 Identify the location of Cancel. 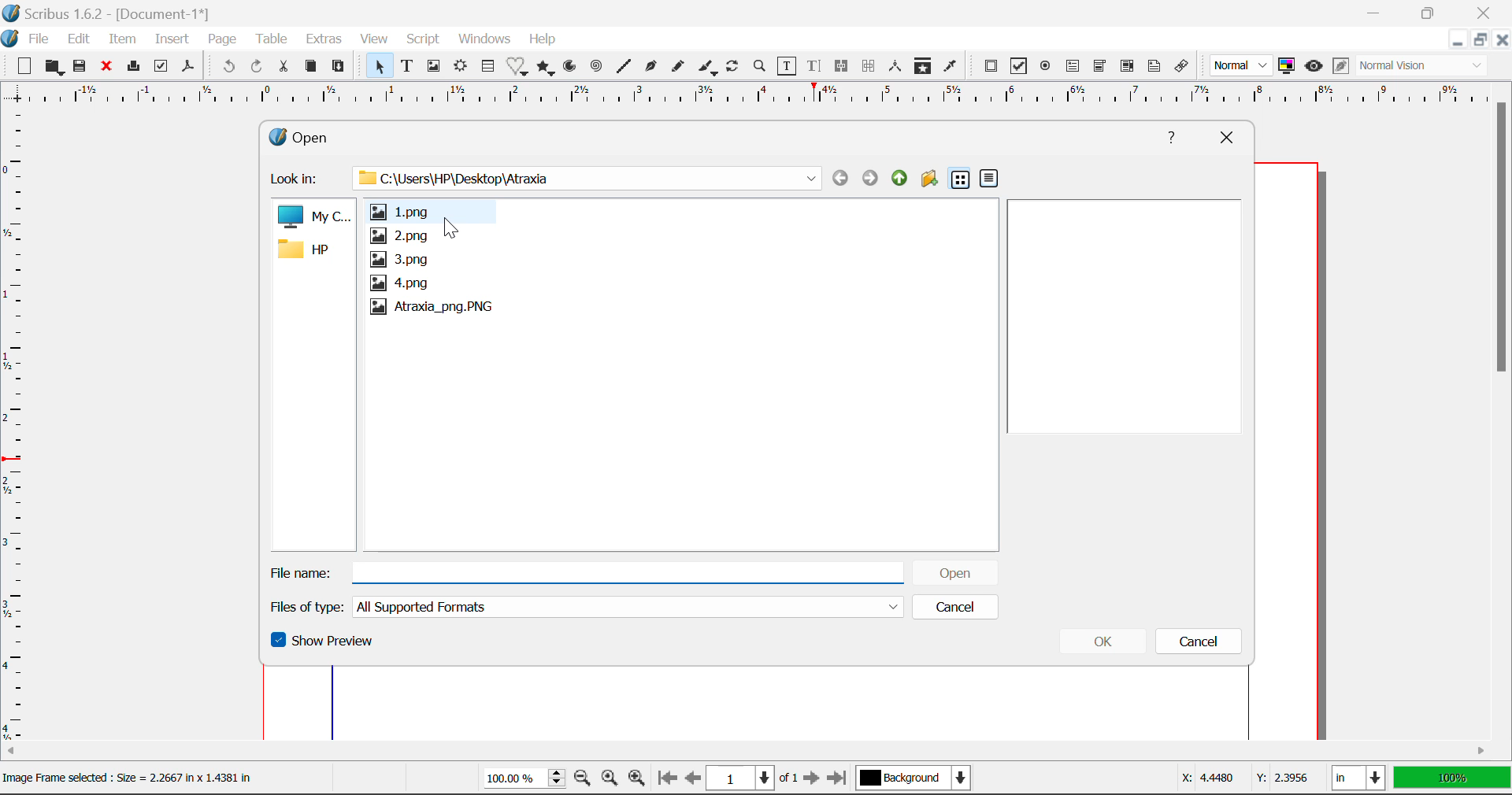
(954, 607).